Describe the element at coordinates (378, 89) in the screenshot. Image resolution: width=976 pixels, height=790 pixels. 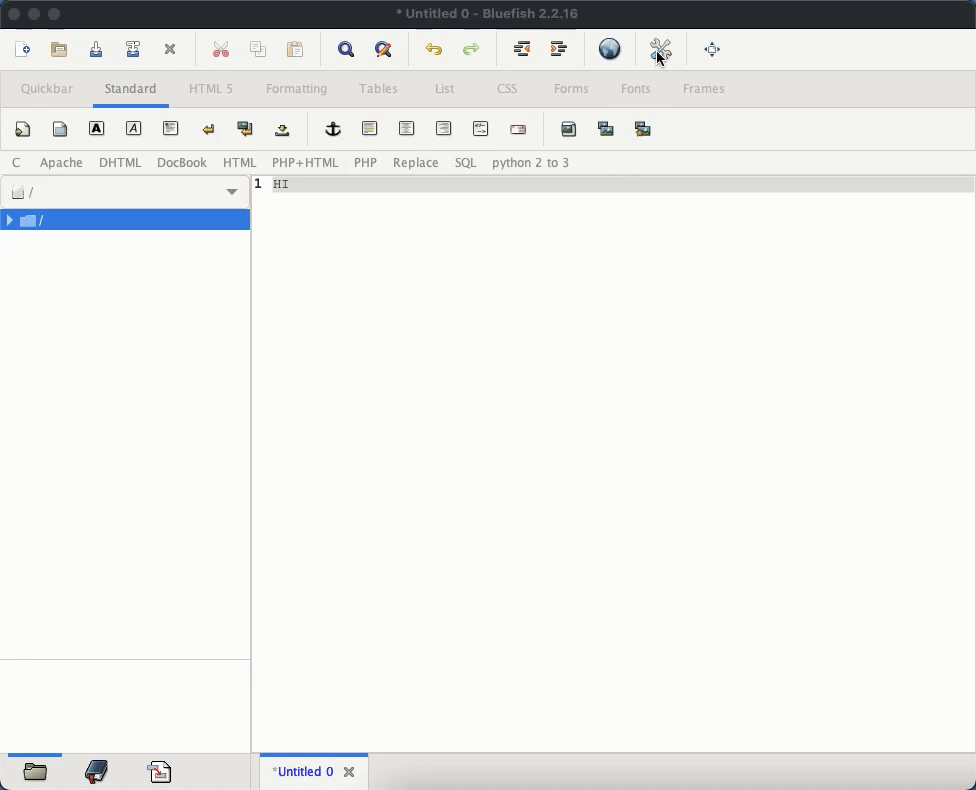
I see `tables` at that location.